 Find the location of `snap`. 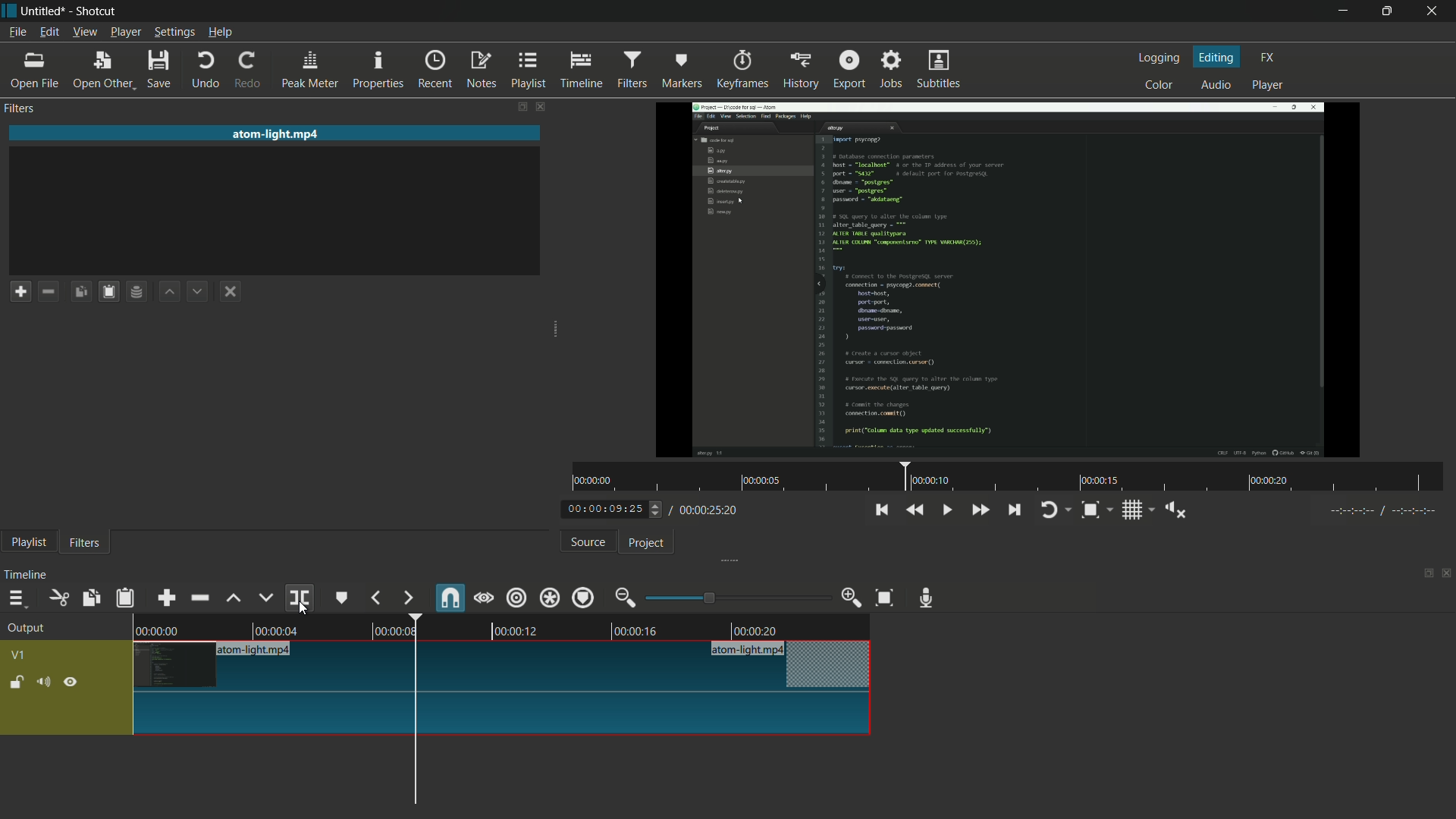

snap is located at coordinates (448, 597).